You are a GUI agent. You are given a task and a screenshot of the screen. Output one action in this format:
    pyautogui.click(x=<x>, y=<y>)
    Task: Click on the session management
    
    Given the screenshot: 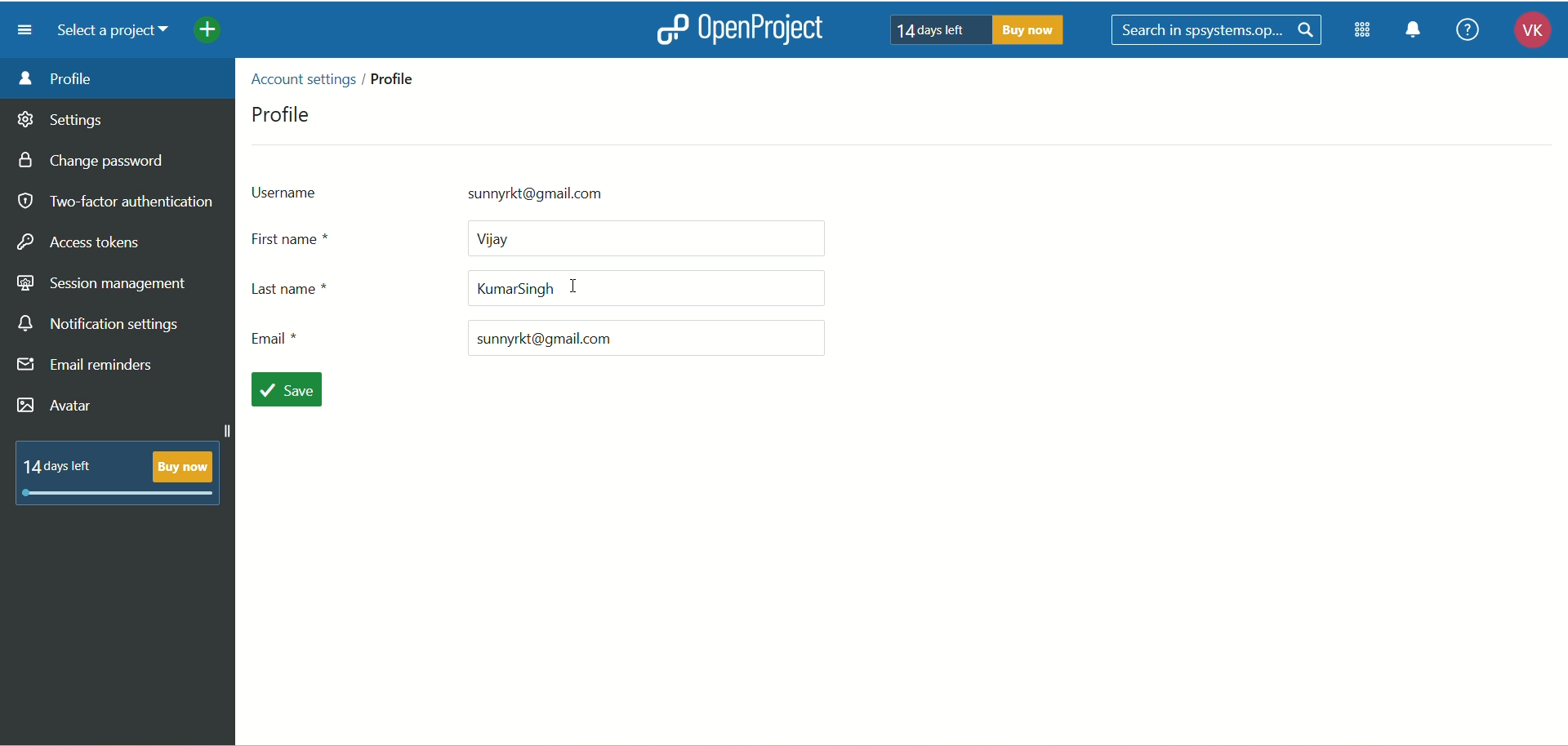 What is the action you would take?
    pyautogui.click(x=102, y=285)
    